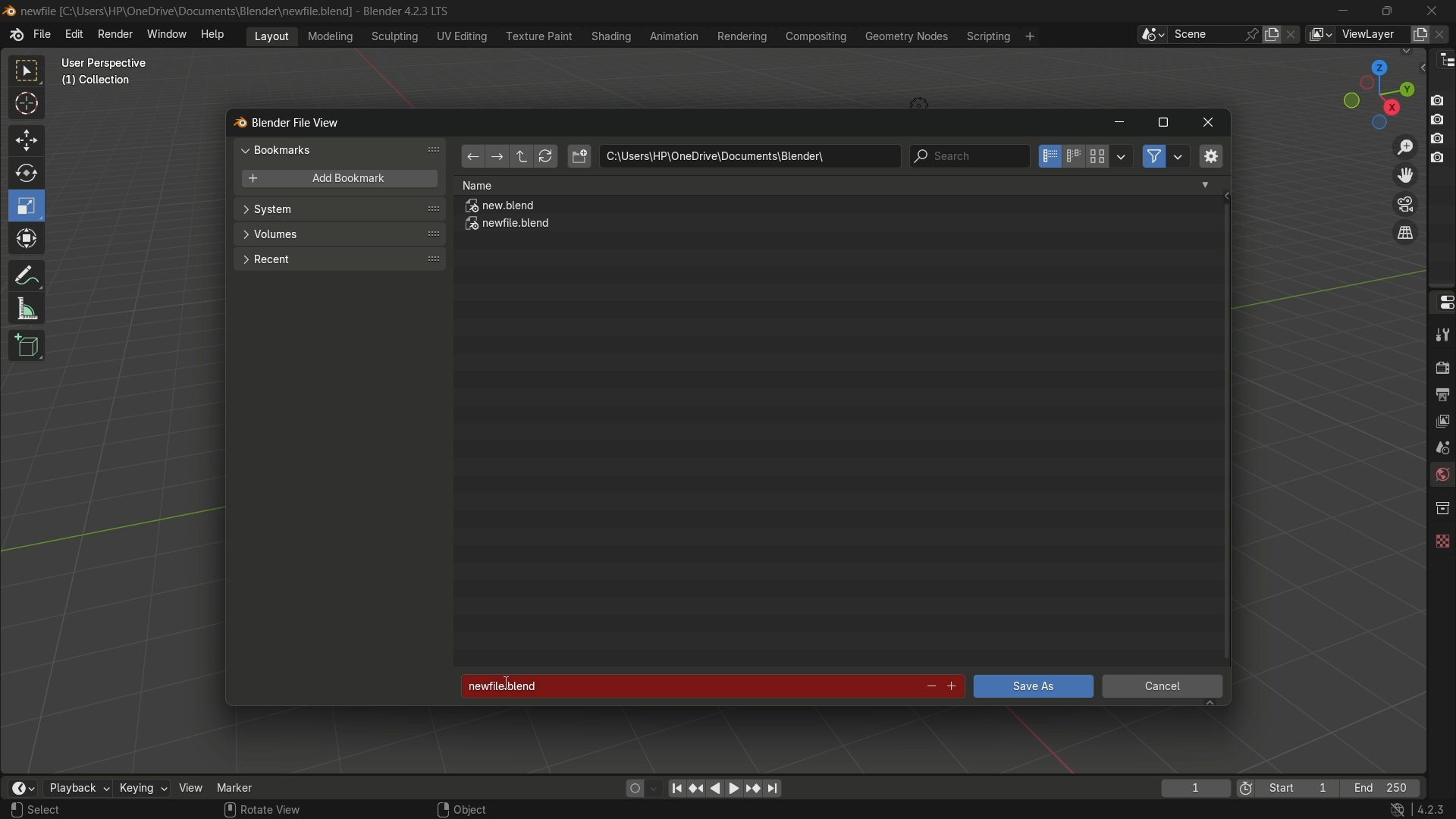  I want to click on recent, so click(337, 258).